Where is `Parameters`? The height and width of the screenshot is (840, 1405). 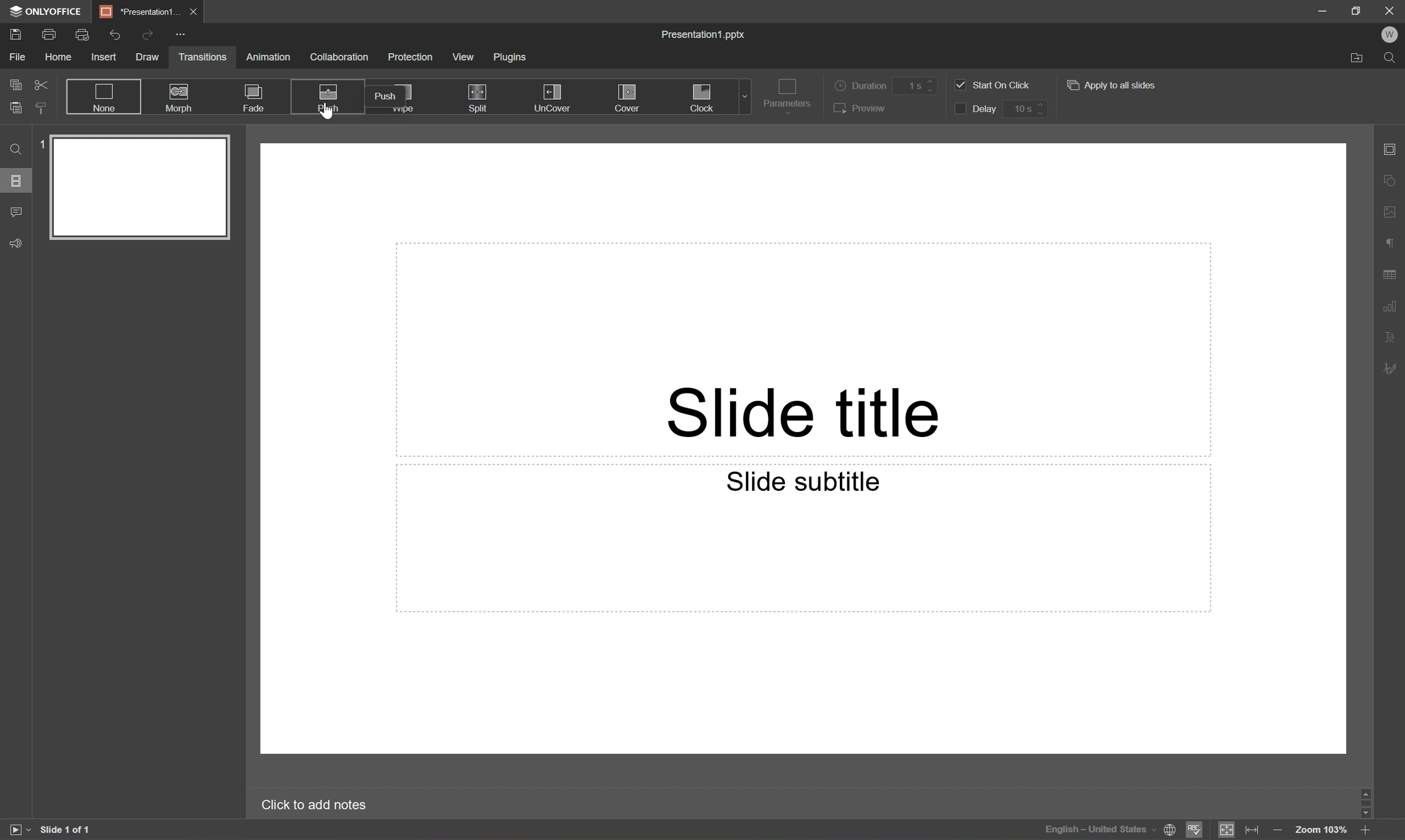 Parameters is located at coordinates (787, 96).